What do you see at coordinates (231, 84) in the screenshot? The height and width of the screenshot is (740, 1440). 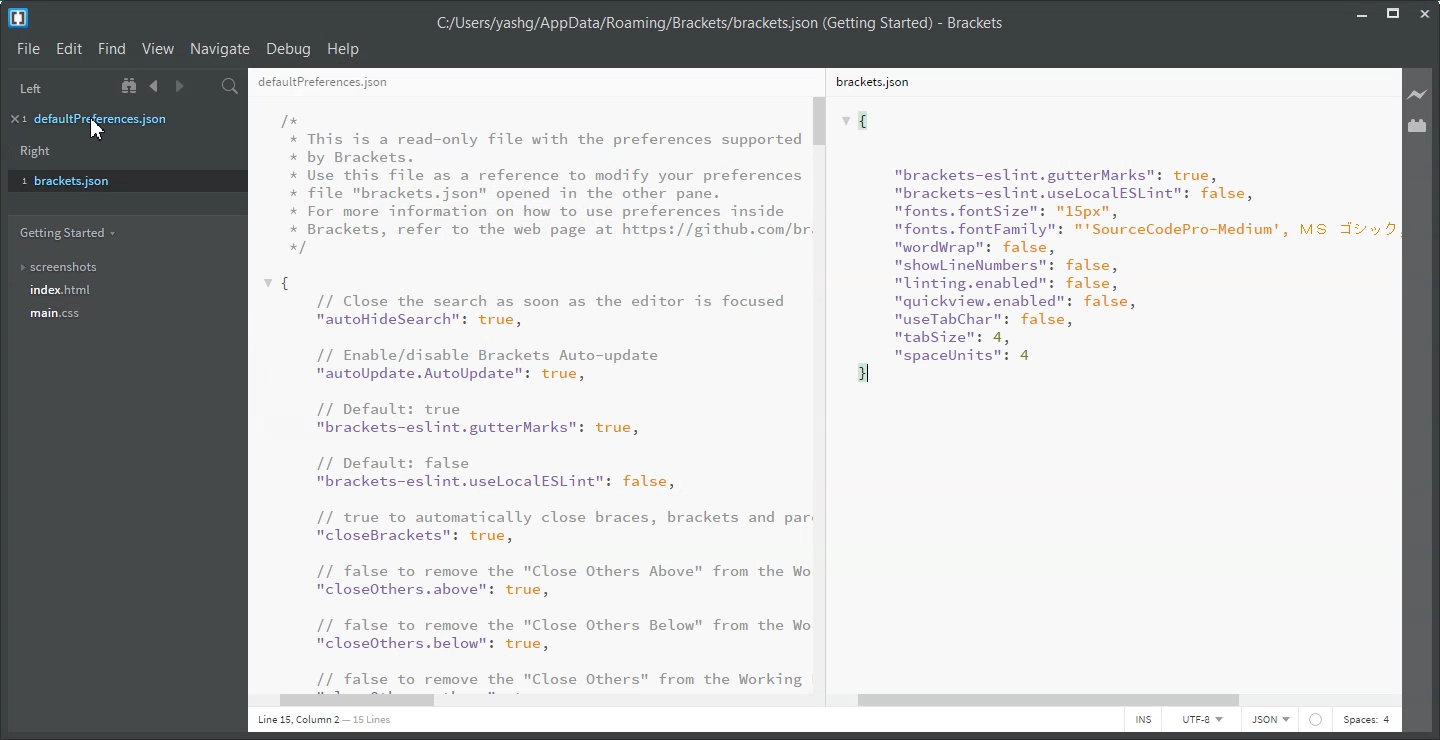 I see `Find in Files` at bounding box center [231, 84].